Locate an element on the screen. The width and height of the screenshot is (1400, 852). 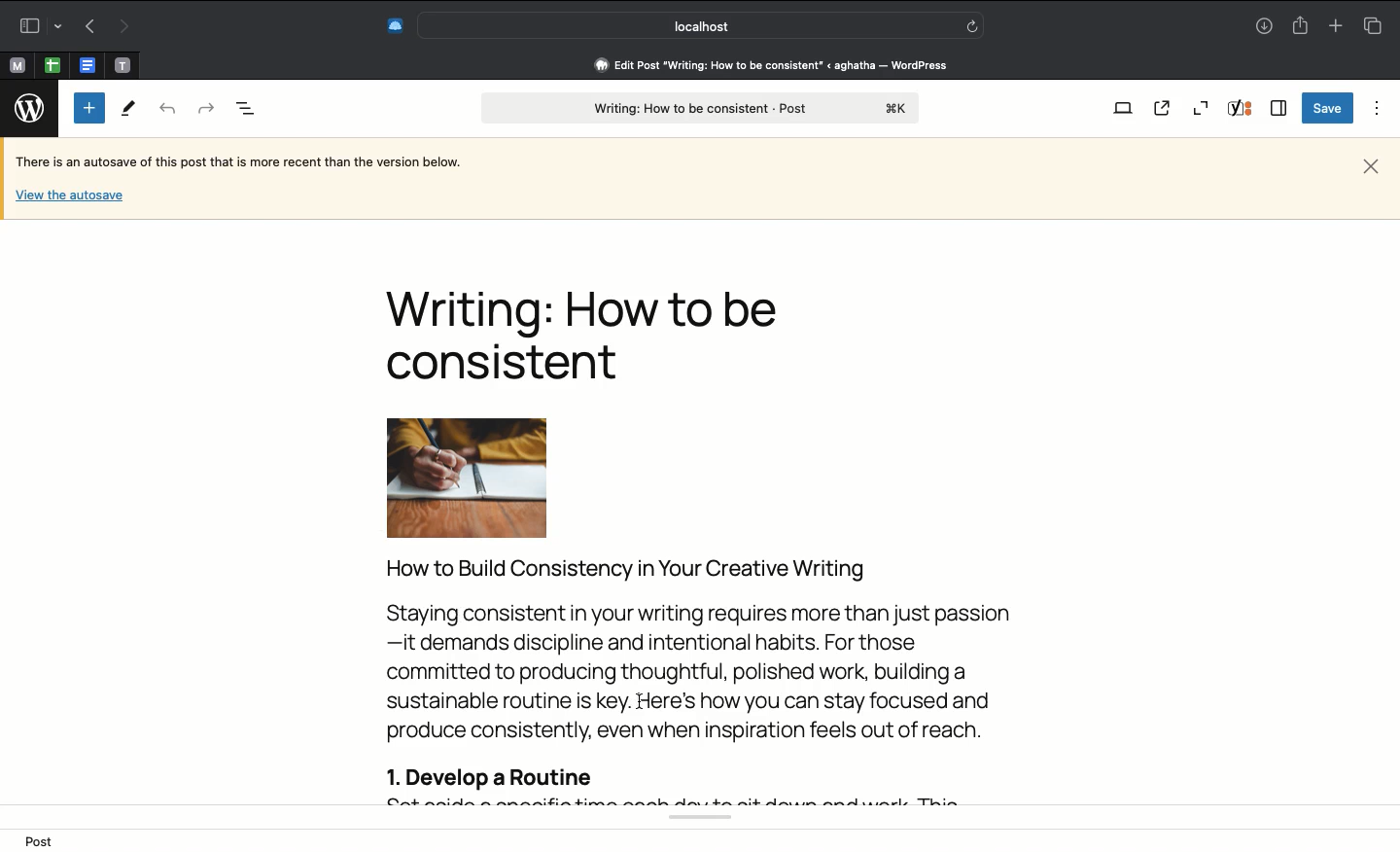
Title is located at coordinates (592, 335).